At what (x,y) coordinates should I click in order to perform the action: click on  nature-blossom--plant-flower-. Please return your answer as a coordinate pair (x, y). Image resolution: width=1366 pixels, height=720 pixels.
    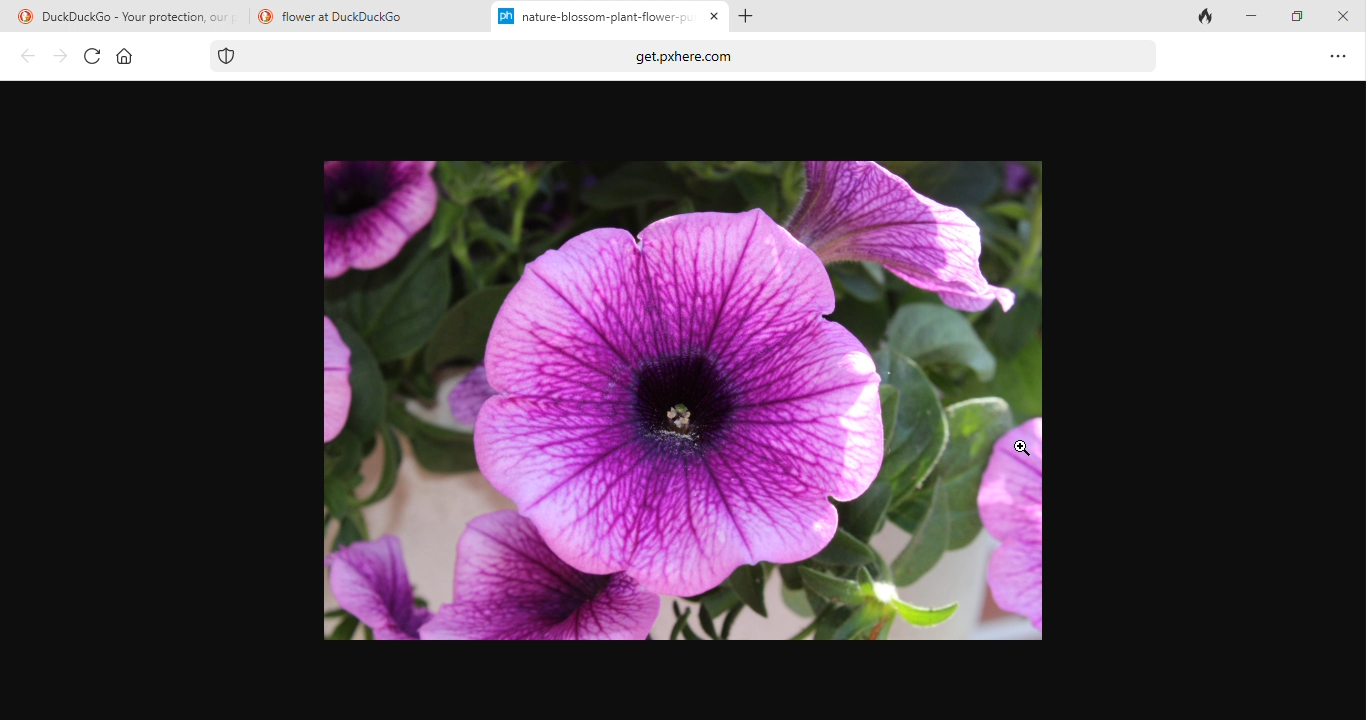
    Looking at the image, I should click on (595, 19).